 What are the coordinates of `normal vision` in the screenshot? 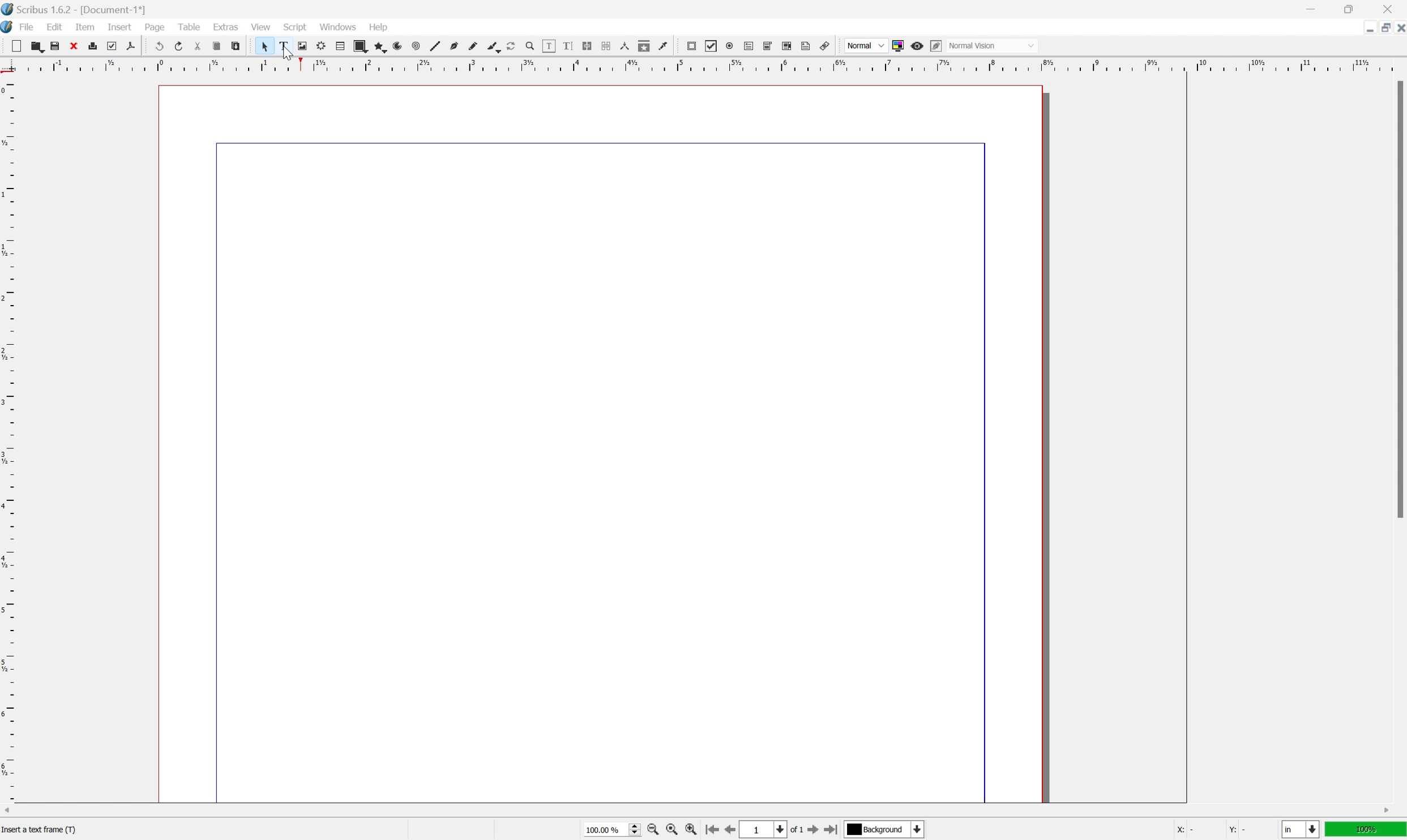 It's located at (993, 45).